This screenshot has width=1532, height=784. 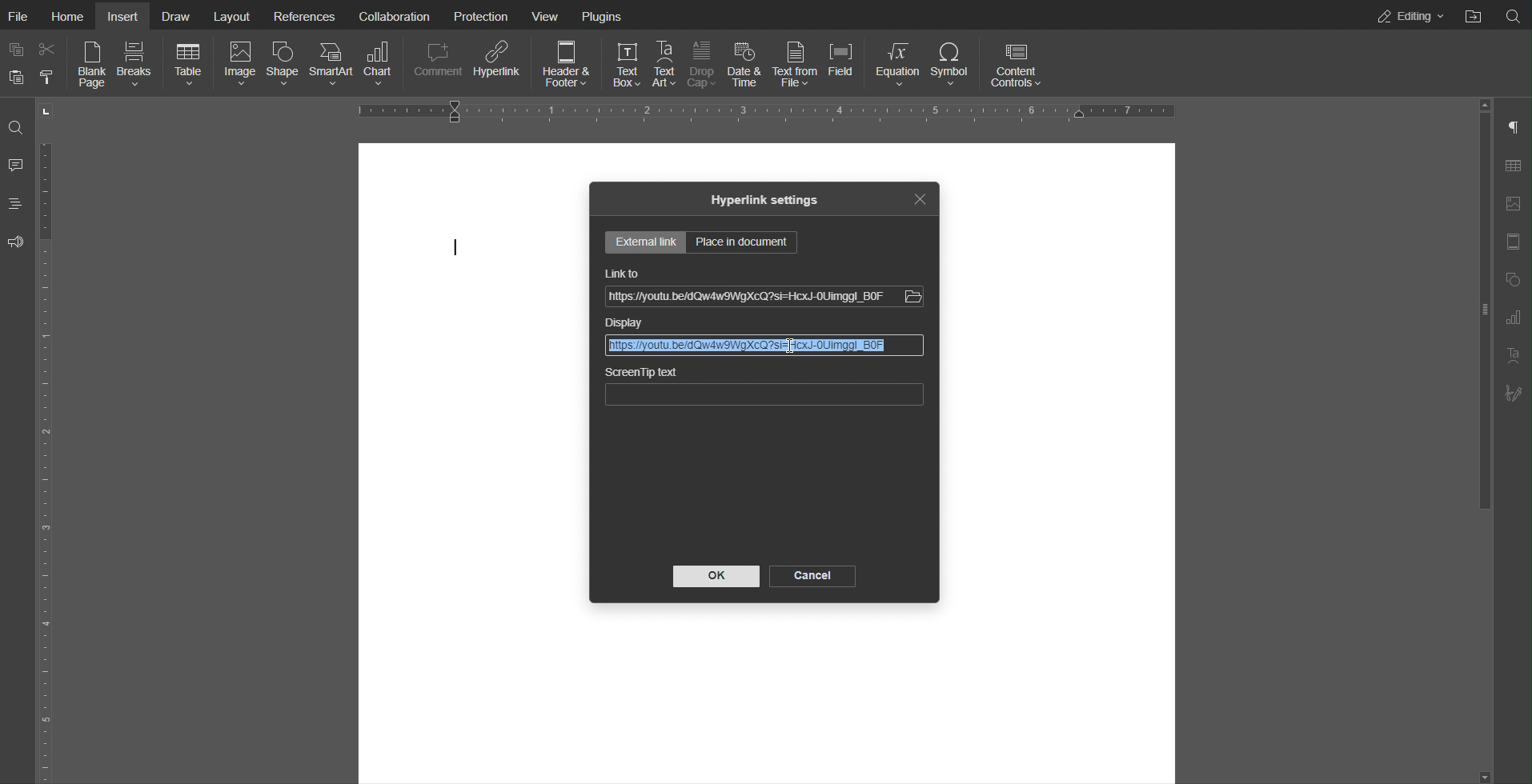 I want to click on ScreenTip text bar, so click(x=765, y=394).